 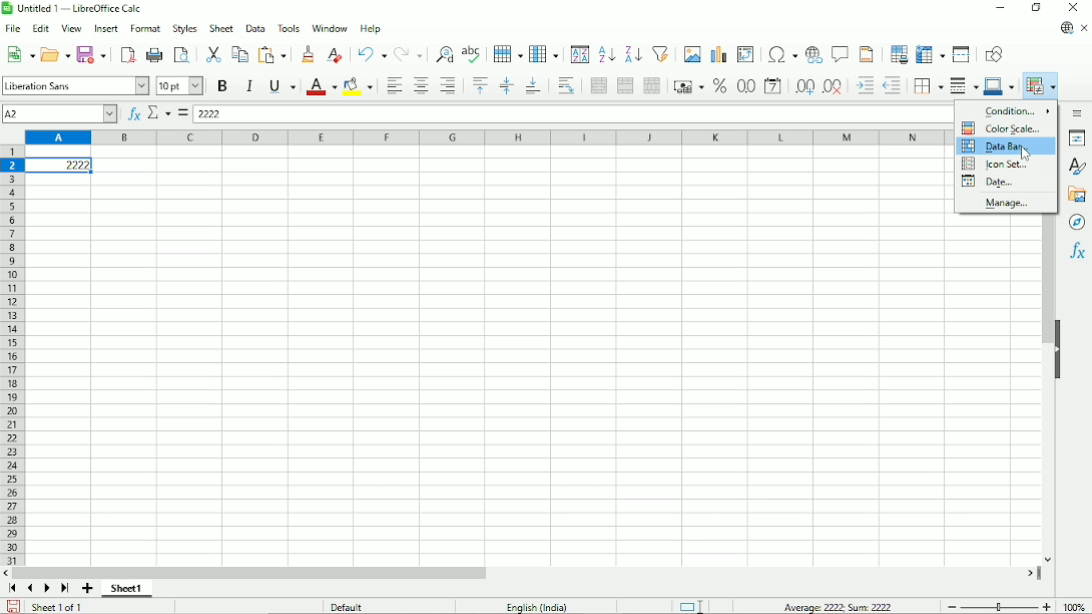 What do you see at coordinates (717, 53) in the screenshot?
I see `Insert chart` at bounding box center [717, 53].